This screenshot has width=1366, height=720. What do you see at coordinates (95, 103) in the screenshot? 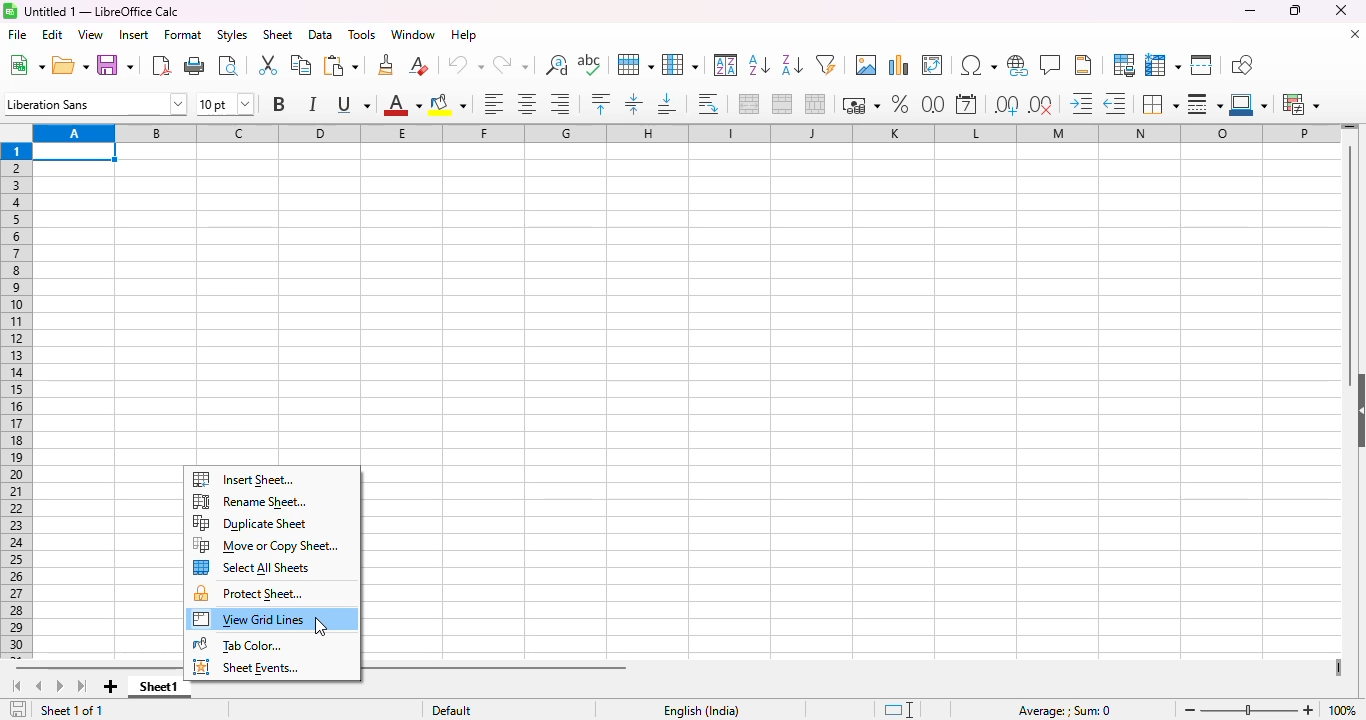
I see `font name` at bounding box center [95, 103].